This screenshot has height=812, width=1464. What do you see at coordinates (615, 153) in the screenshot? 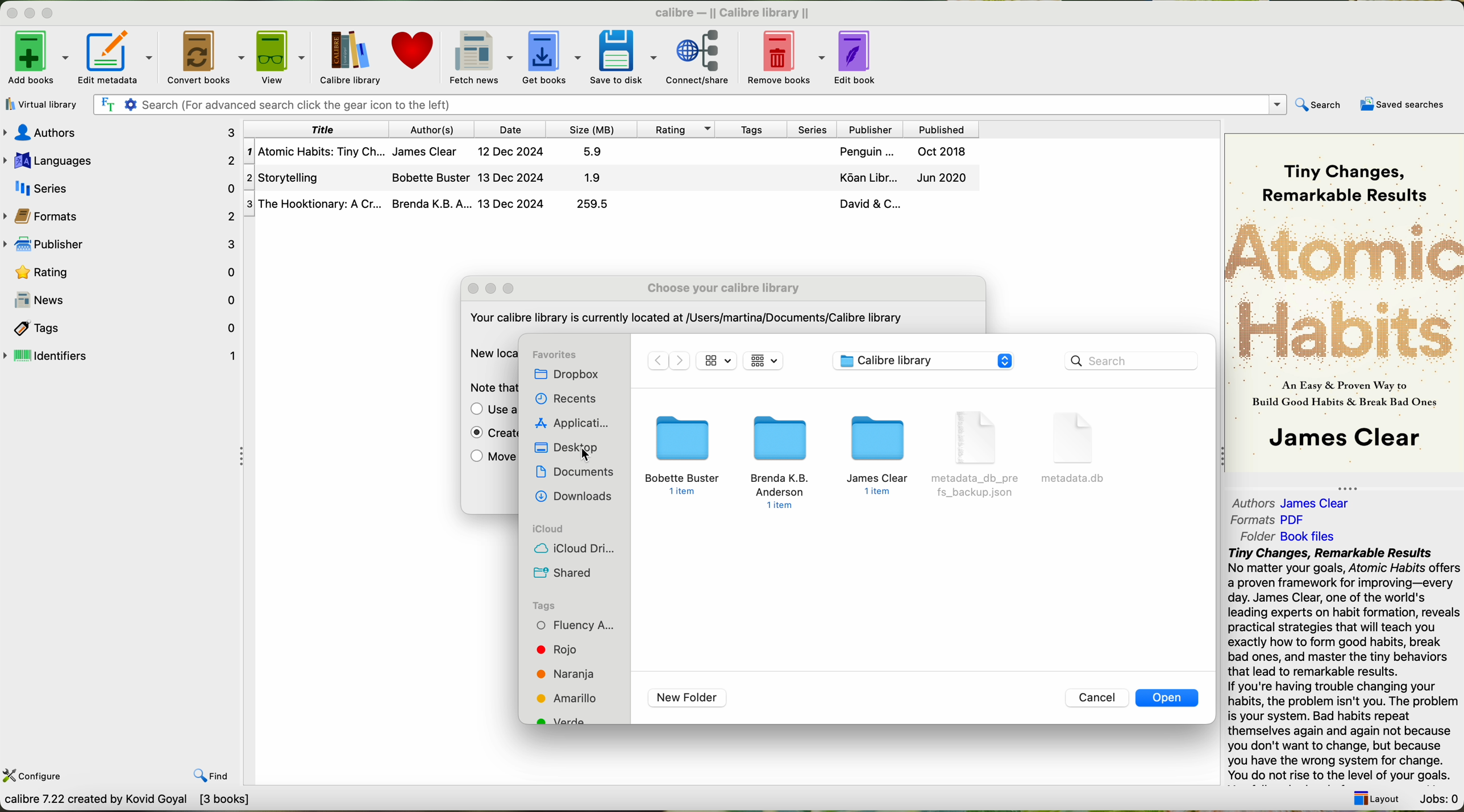
I see `First Book Atomic Habits` at bounding box center [615, 153].